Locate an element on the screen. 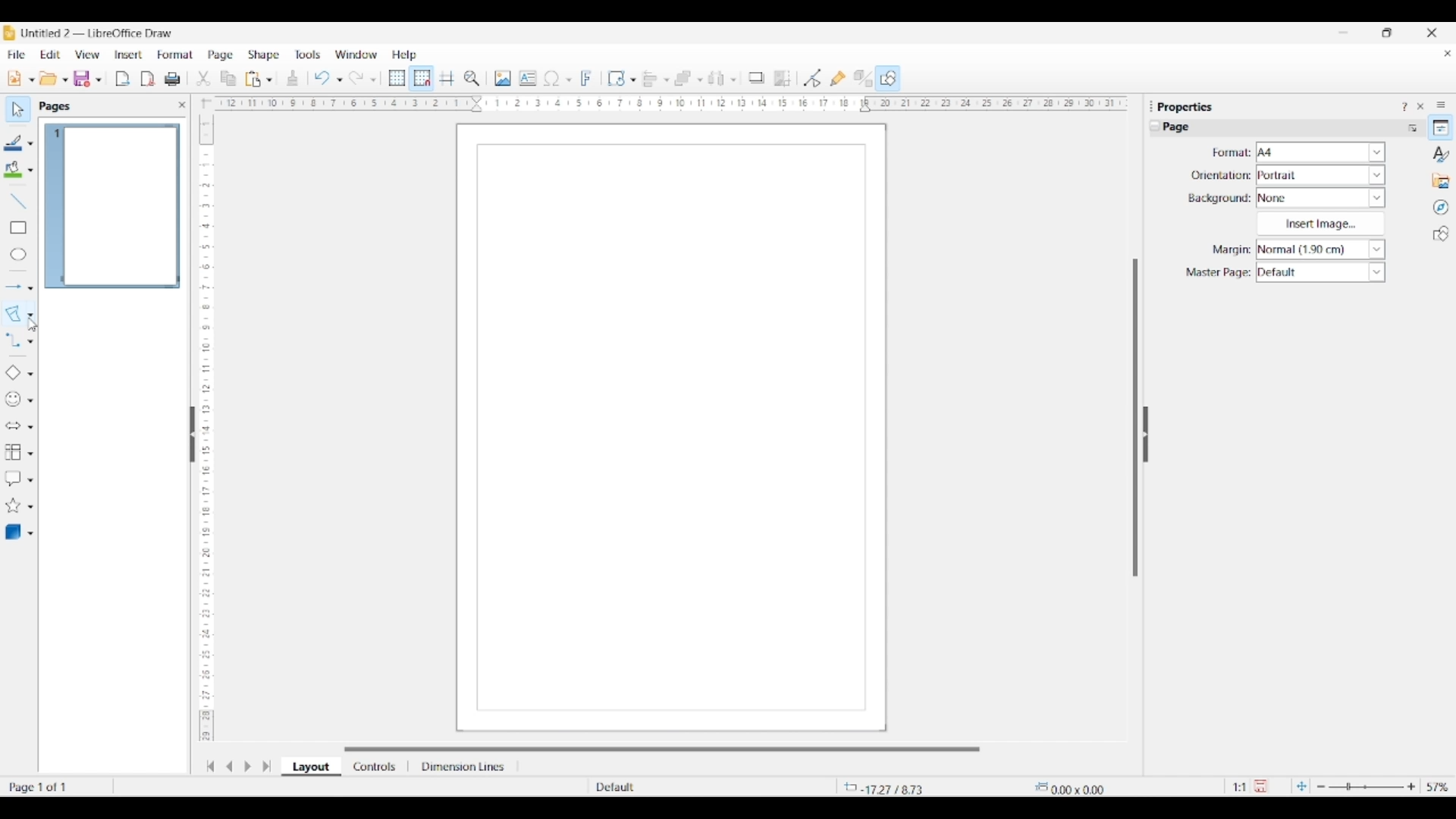 The height and width of the screenshot is (819, 1456). Shapes is located at coordinates (1441, 234).